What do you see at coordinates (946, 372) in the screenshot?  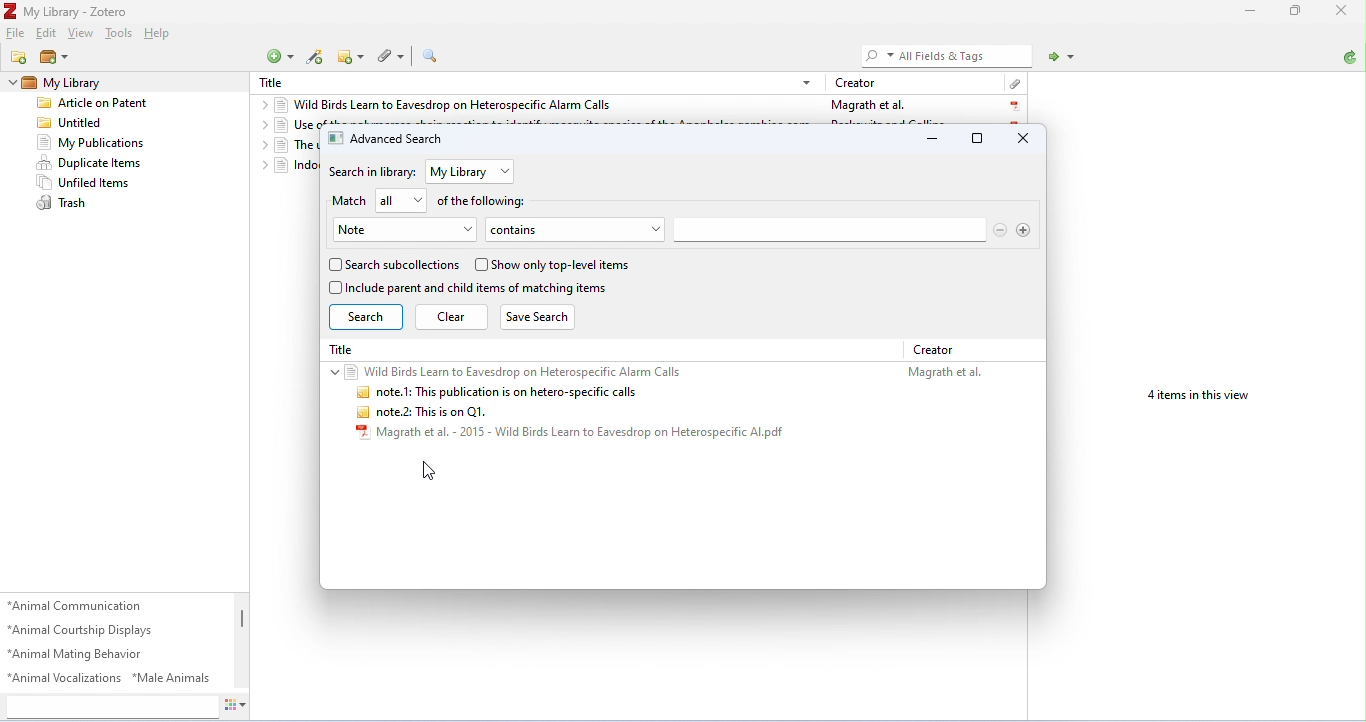 I see `Magrath et al.` at bounding box center [946, 372].